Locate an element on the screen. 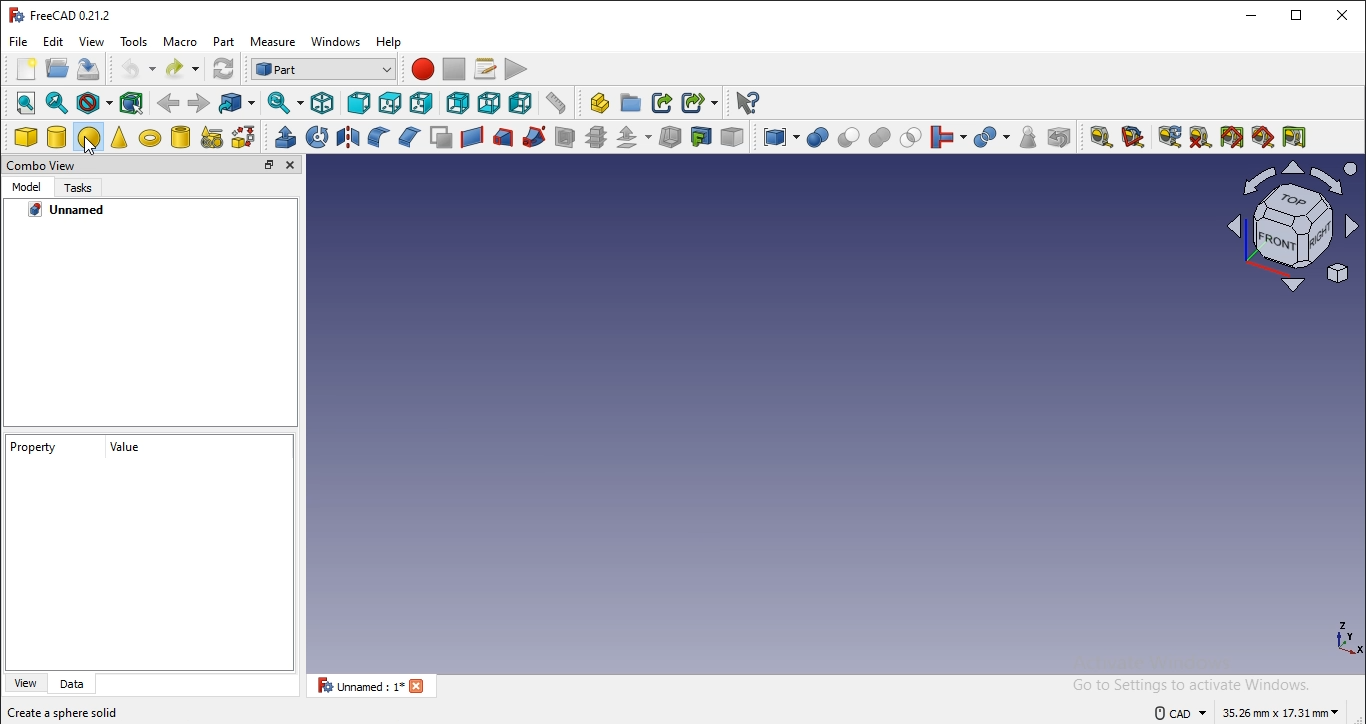  mirroring is located at coordinates (346, 135).